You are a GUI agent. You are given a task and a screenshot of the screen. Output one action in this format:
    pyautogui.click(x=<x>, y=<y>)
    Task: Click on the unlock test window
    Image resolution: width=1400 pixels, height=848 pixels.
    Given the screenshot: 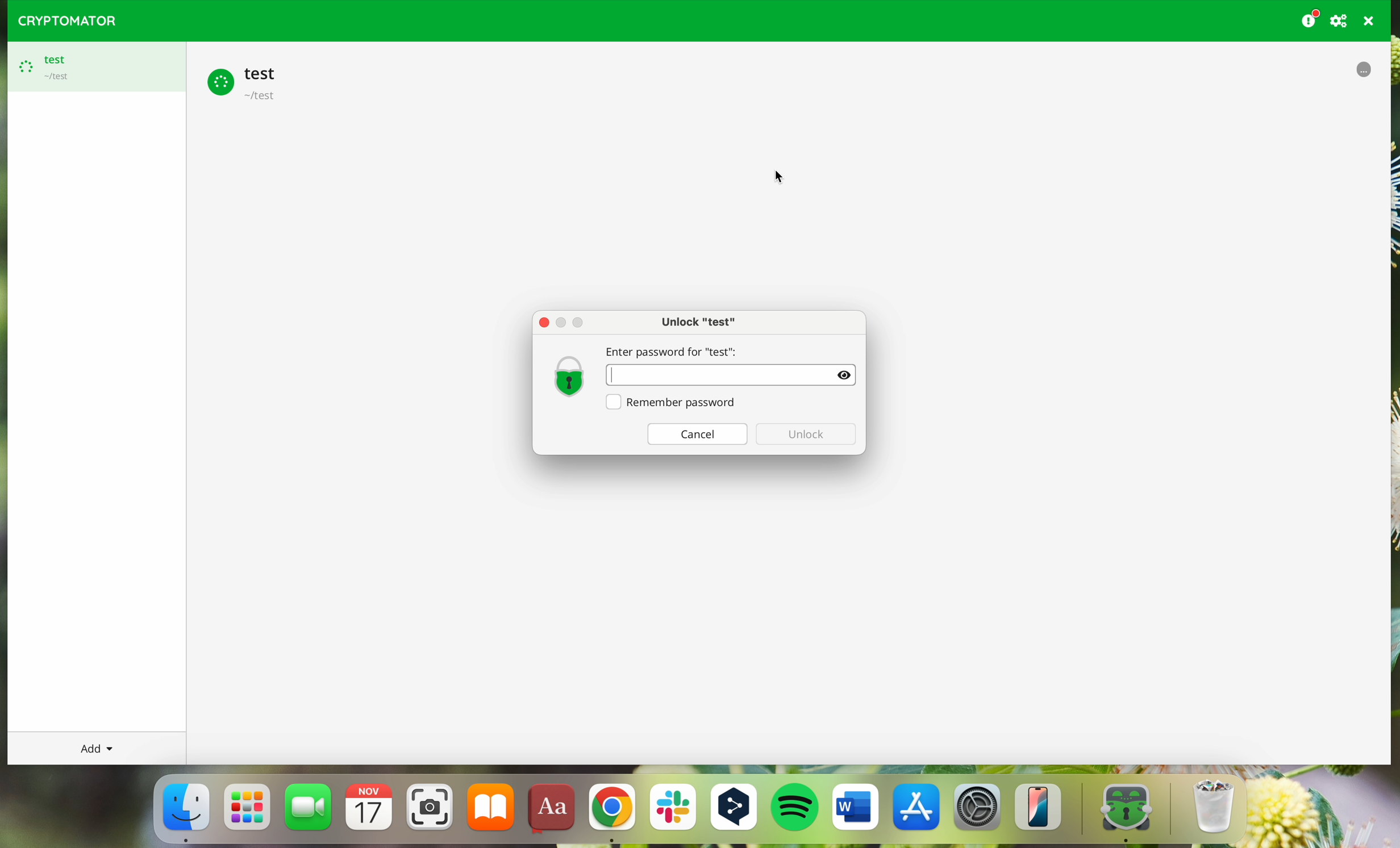 What is the action you would take?
    pyautogui.click(x=700, y=320)
    